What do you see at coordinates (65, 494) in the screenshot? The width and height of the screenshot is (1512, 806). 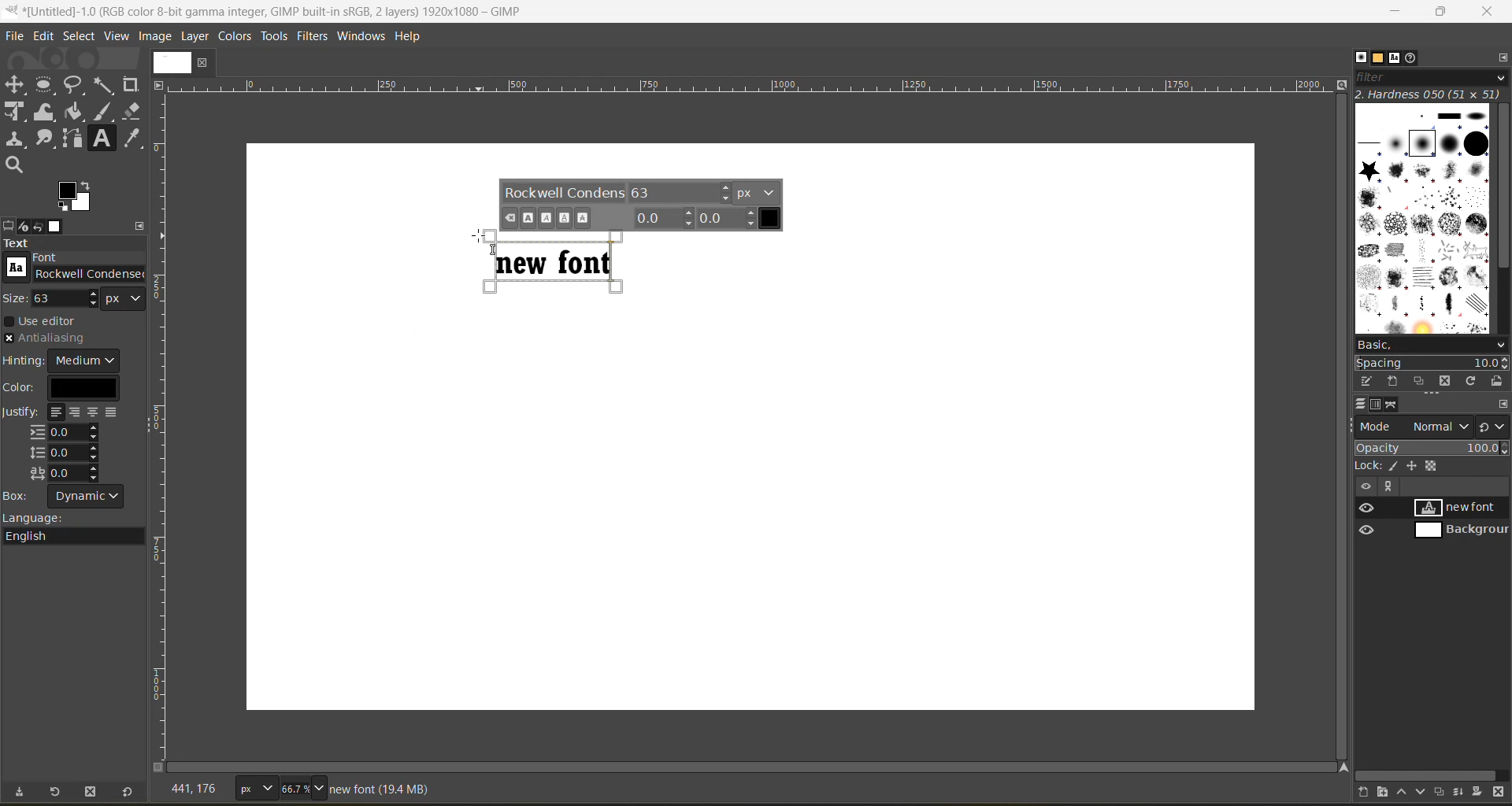 I see `box` at bounding box center [65, 494].